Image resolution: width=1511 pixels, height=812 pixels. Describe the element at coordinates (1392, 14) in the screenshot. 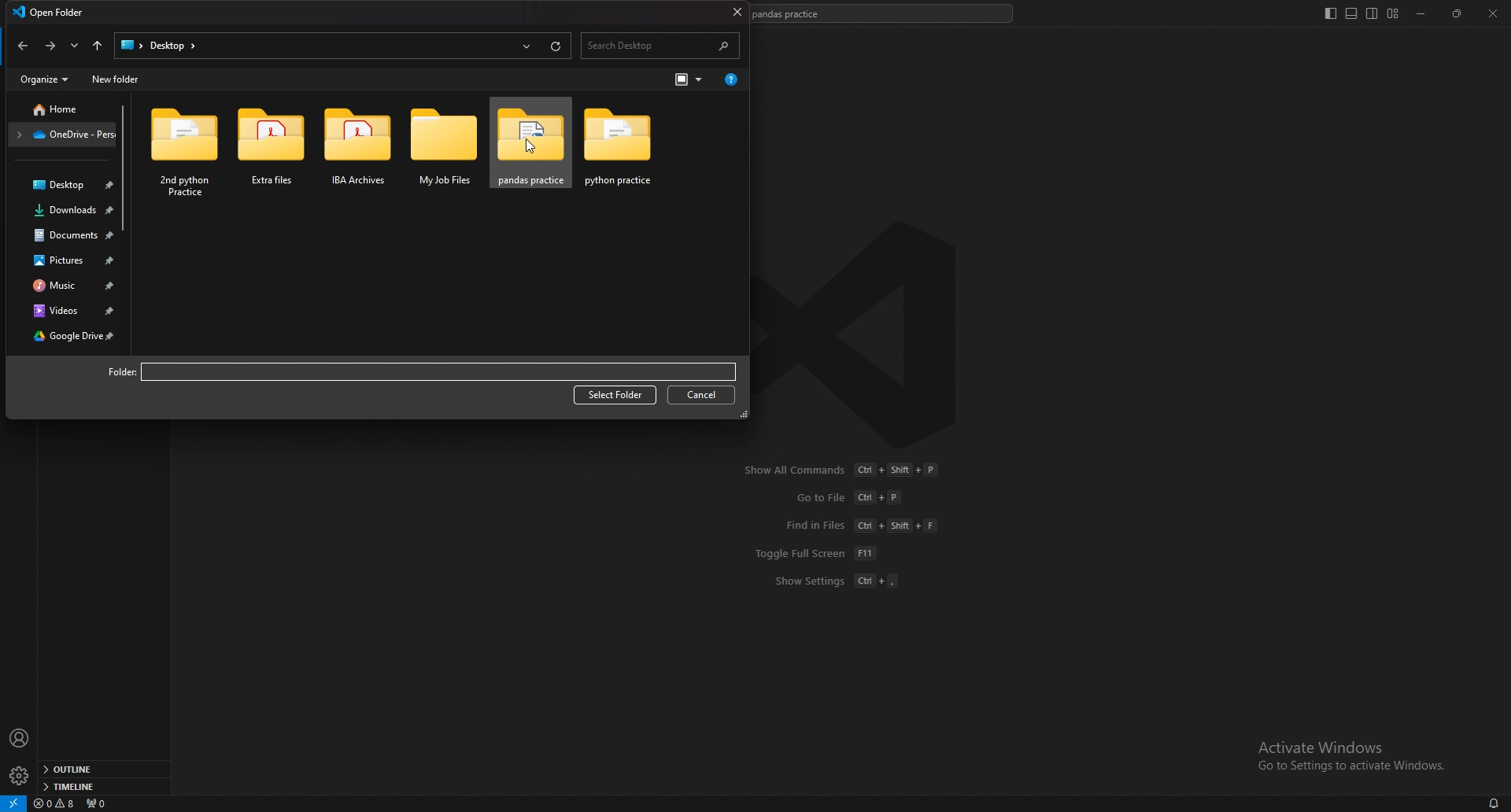

I see `customize layout` at that location.